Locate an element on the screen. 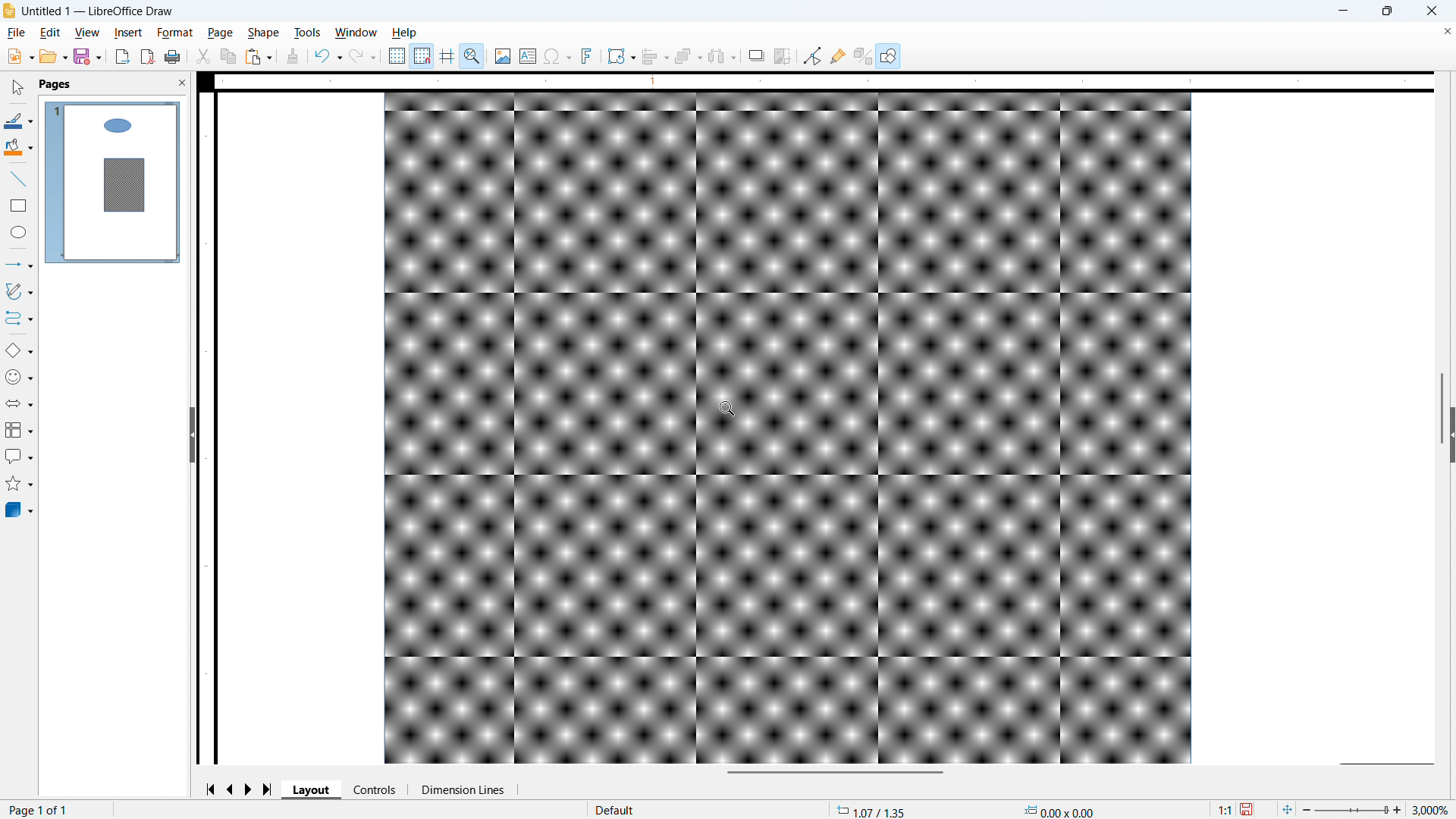 This screenshot has height=819, width=1456. Export  is located at coordinates (122, 56).